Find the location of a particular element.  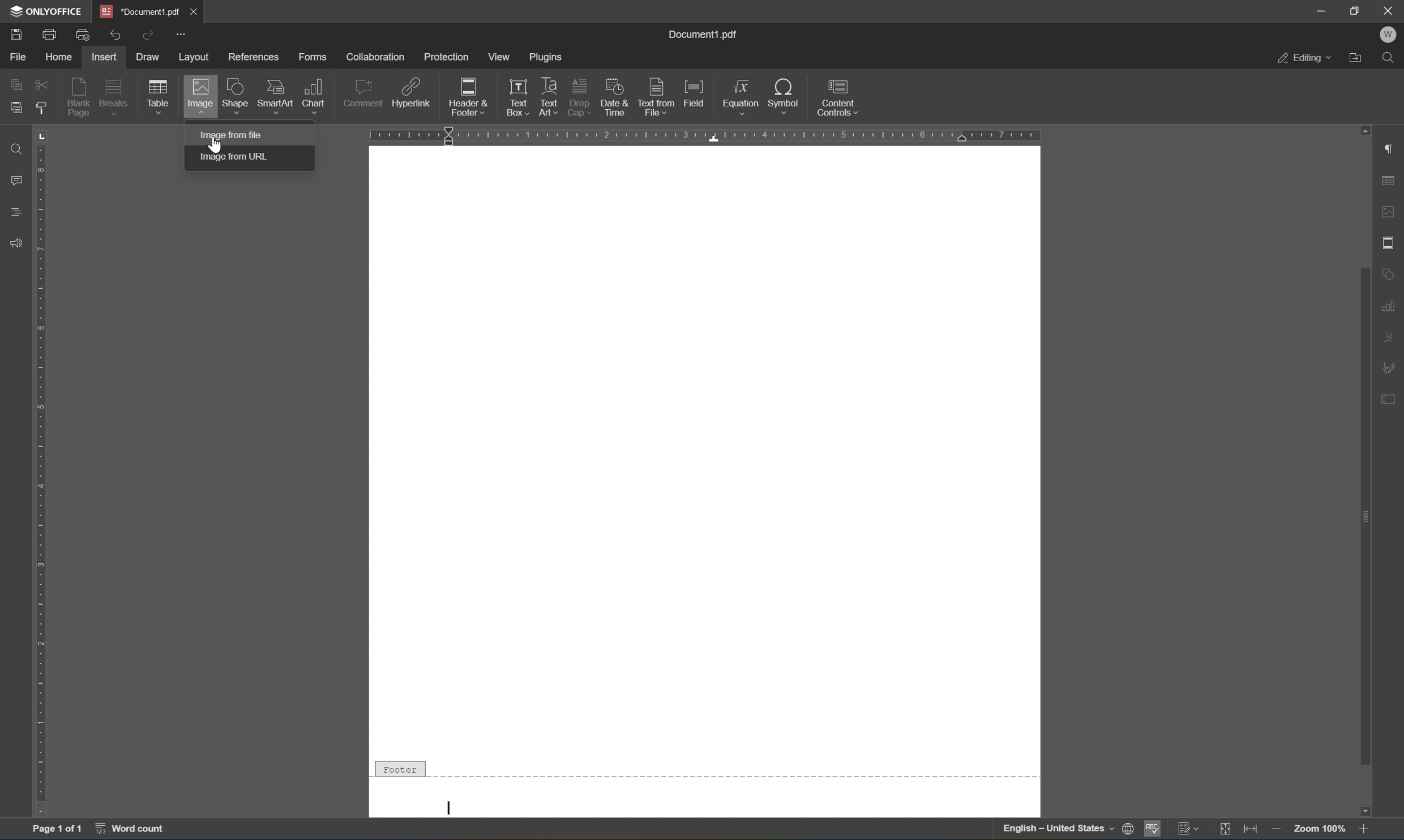

close is located at coordinates (1390, 11).